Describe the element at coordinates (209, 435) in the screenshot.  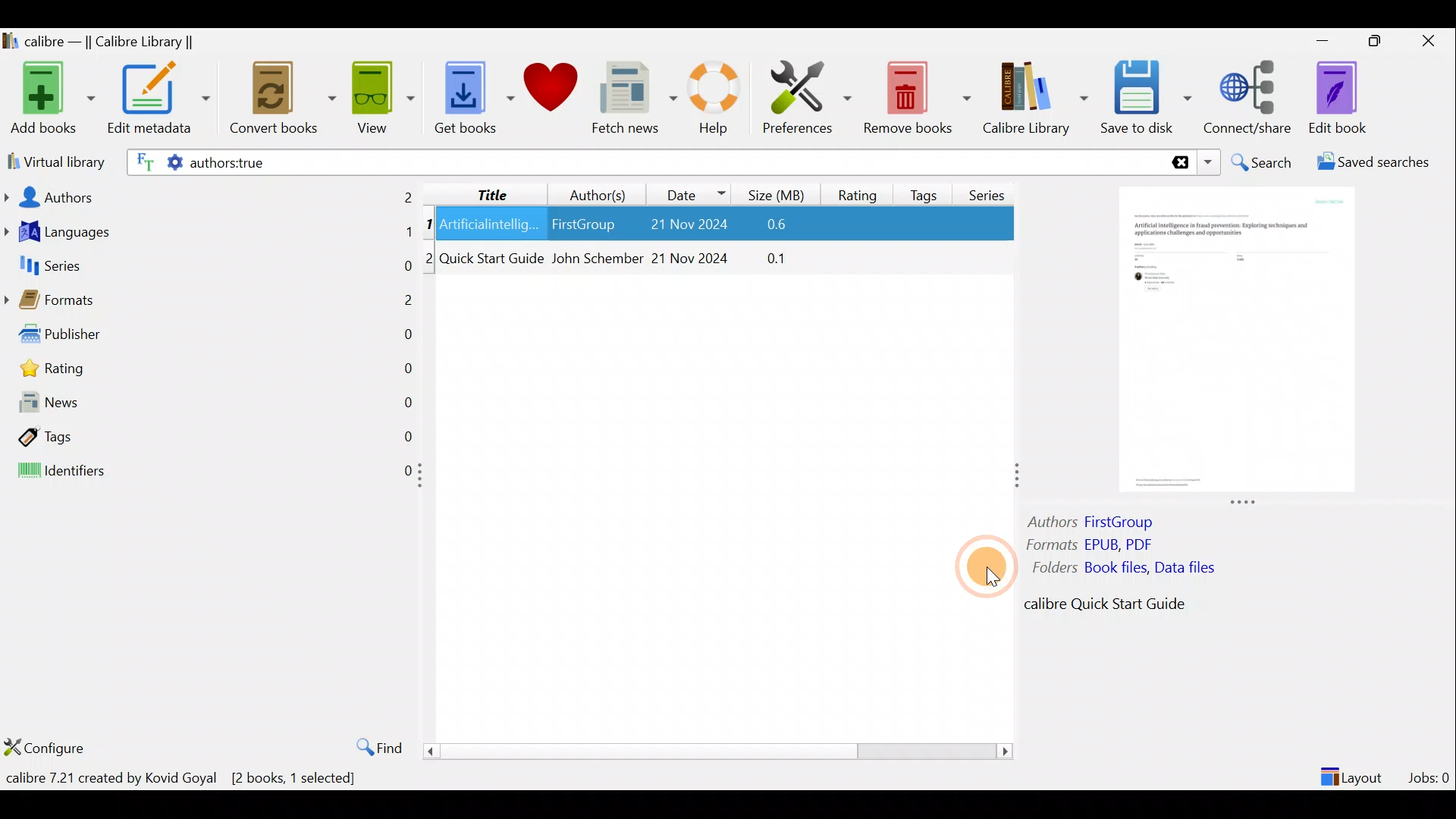
I see `Tags` at that location.